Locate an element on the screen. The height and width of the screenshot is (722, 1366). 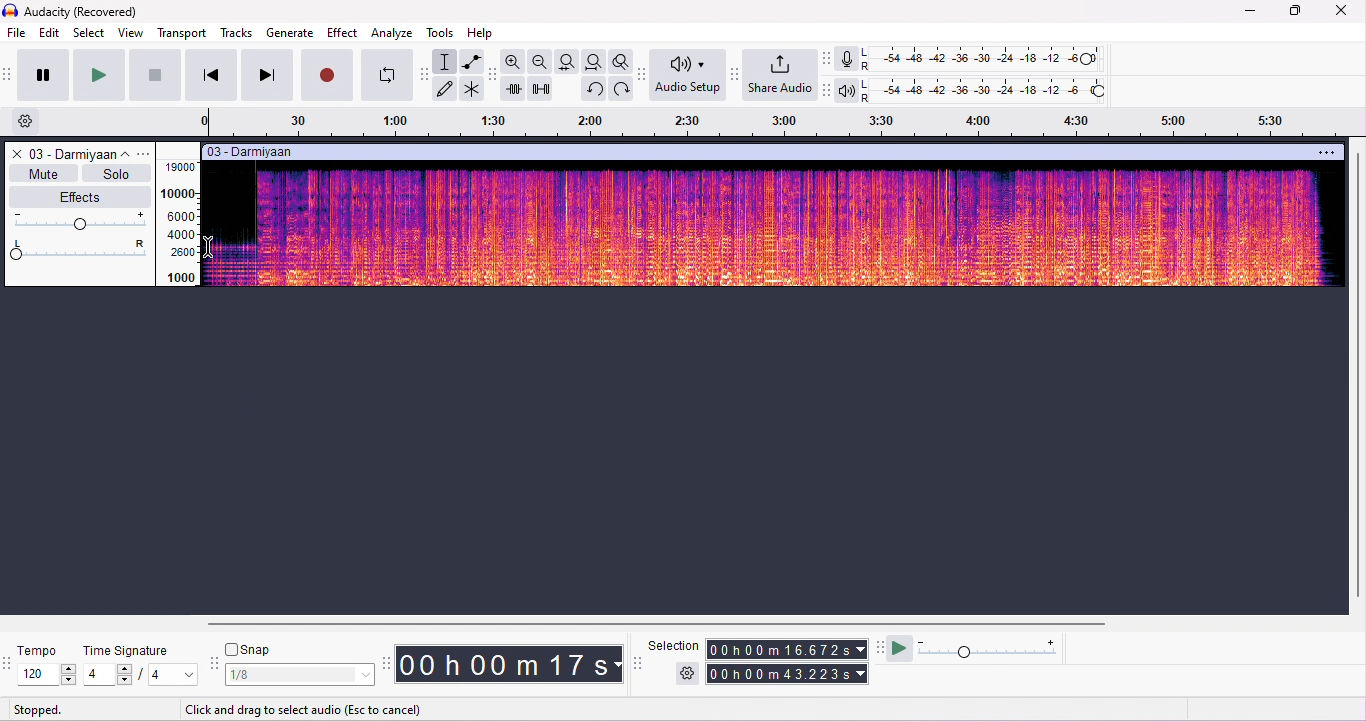
next is located at coordinates (267, 75).